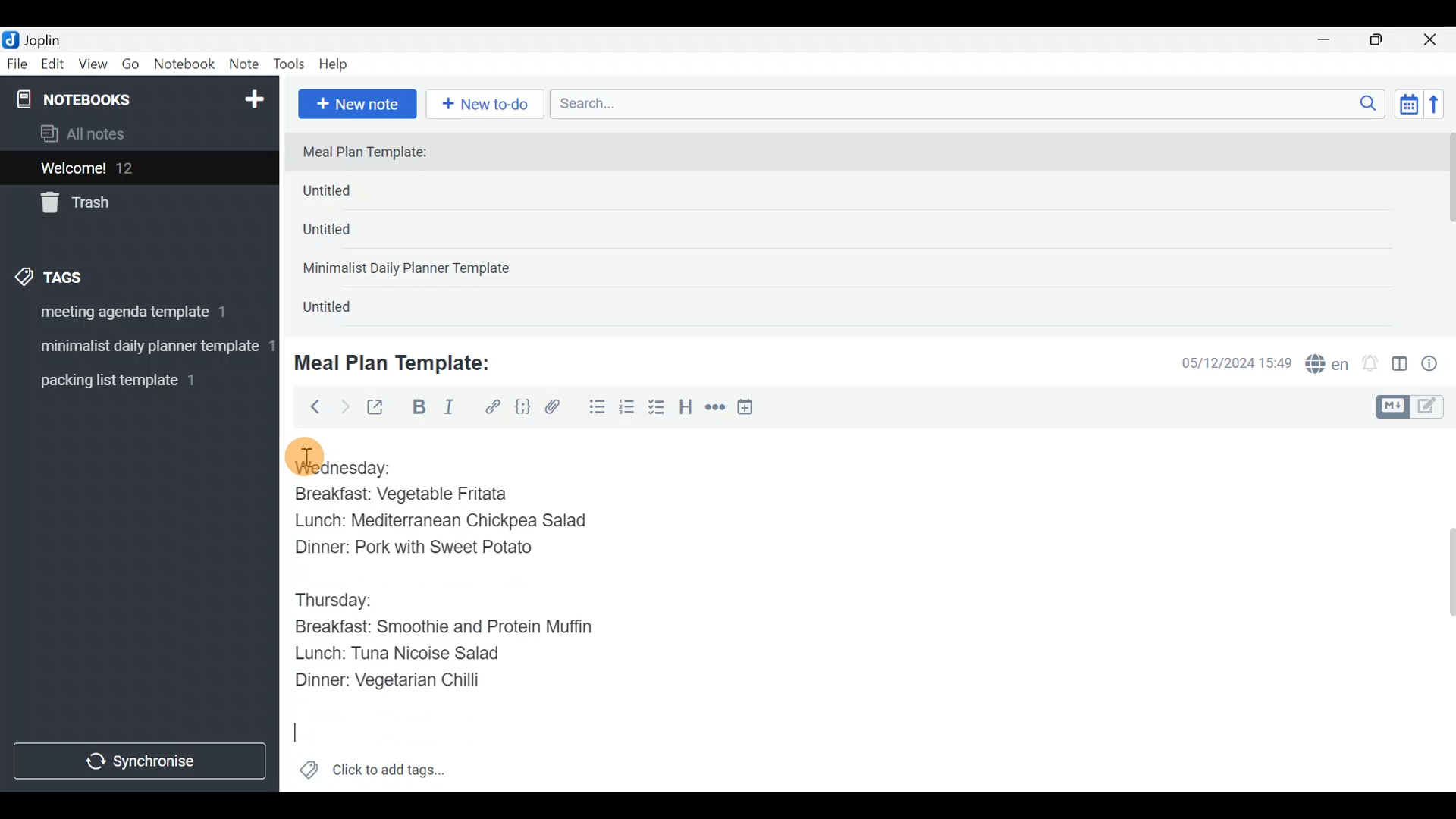  Describe the element at coordinates (142, 761) in the screenshot. I see `Synchronize` at that location.